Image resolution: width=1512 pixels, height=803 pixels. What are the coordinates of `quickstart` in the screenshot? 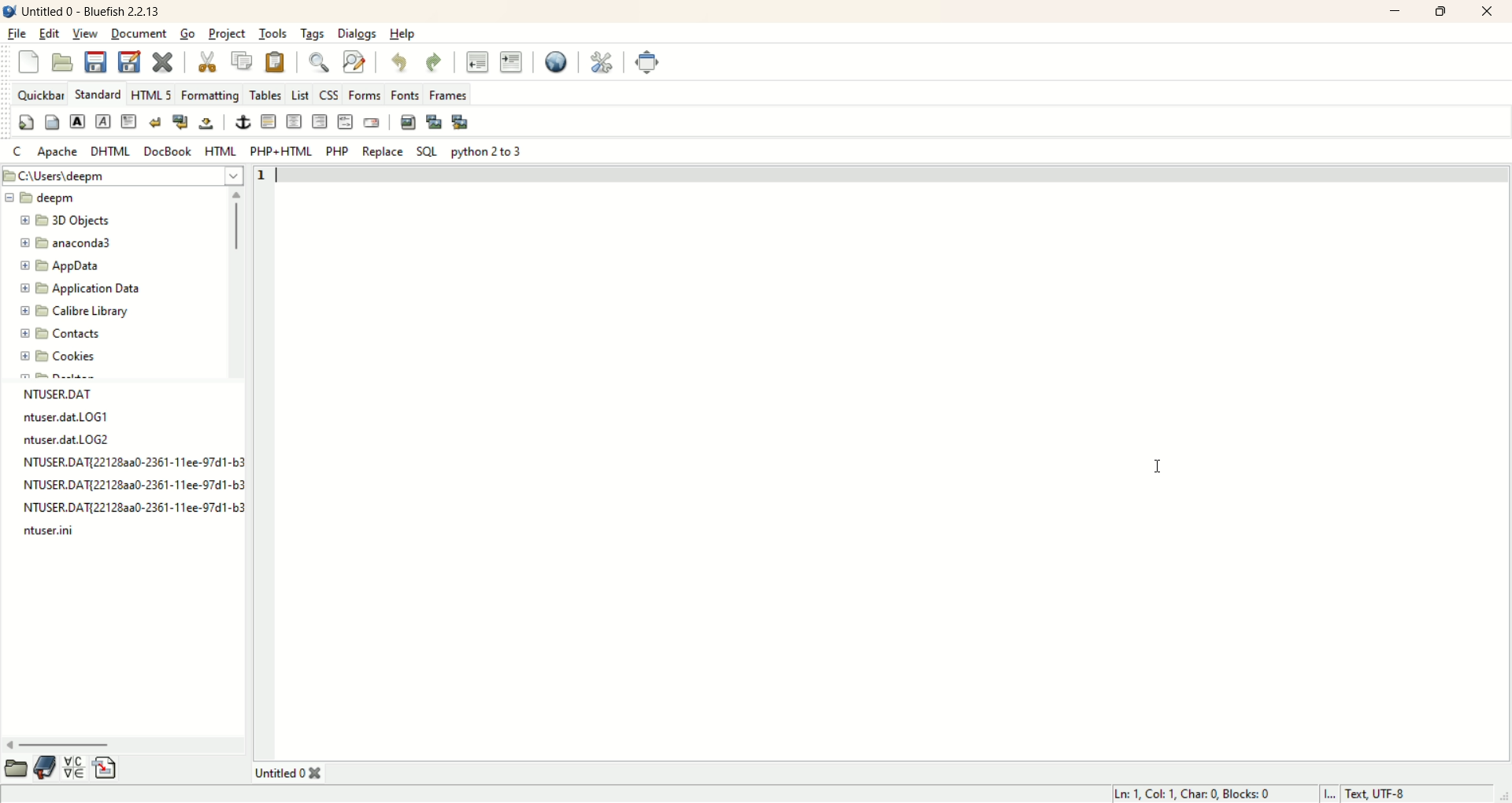 It's located at (26, 122).